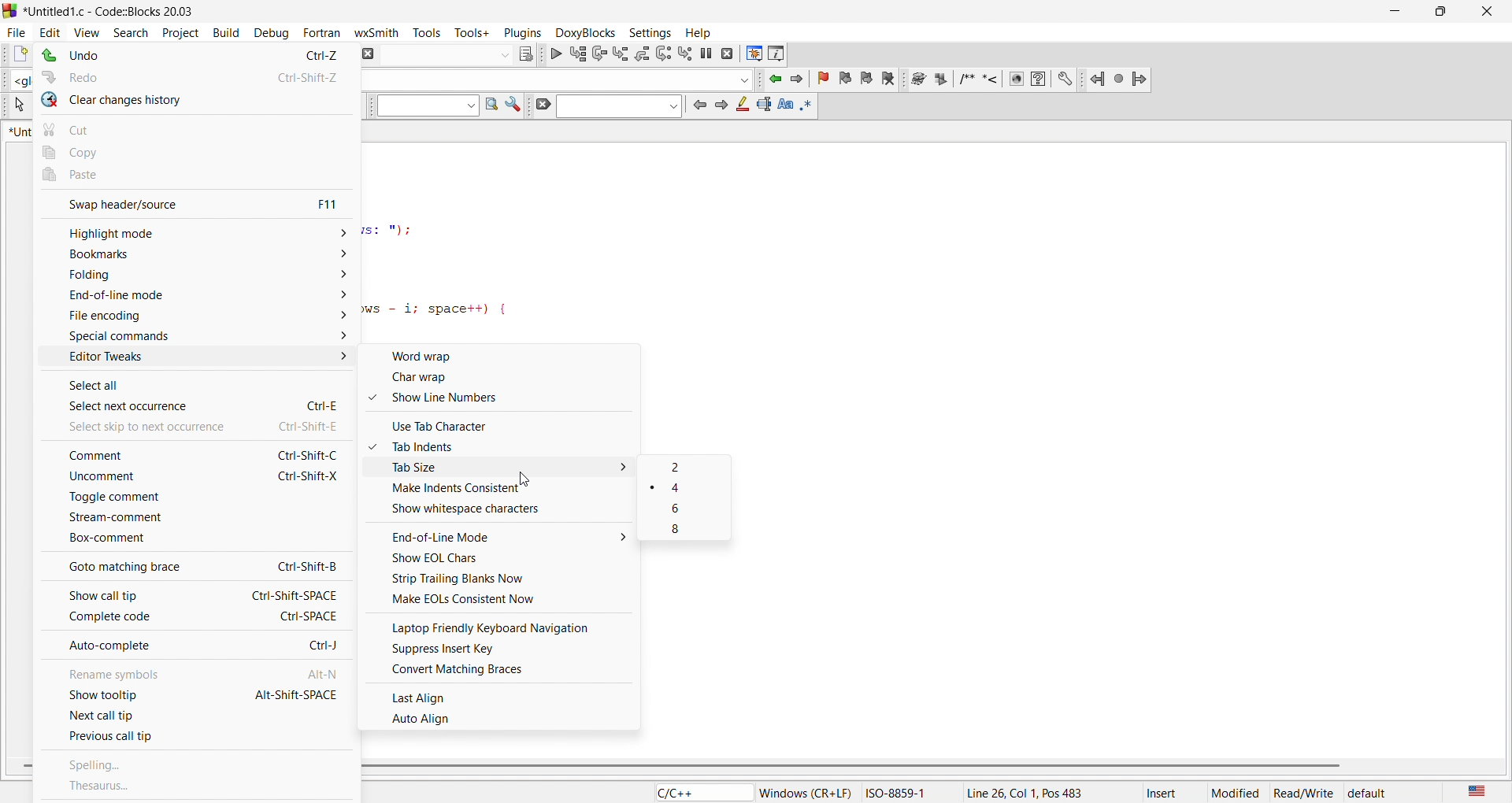  What do you see at coordinates (508, 424) in the screenshot?
I see `use tab character` at bounding box center [508, 424].